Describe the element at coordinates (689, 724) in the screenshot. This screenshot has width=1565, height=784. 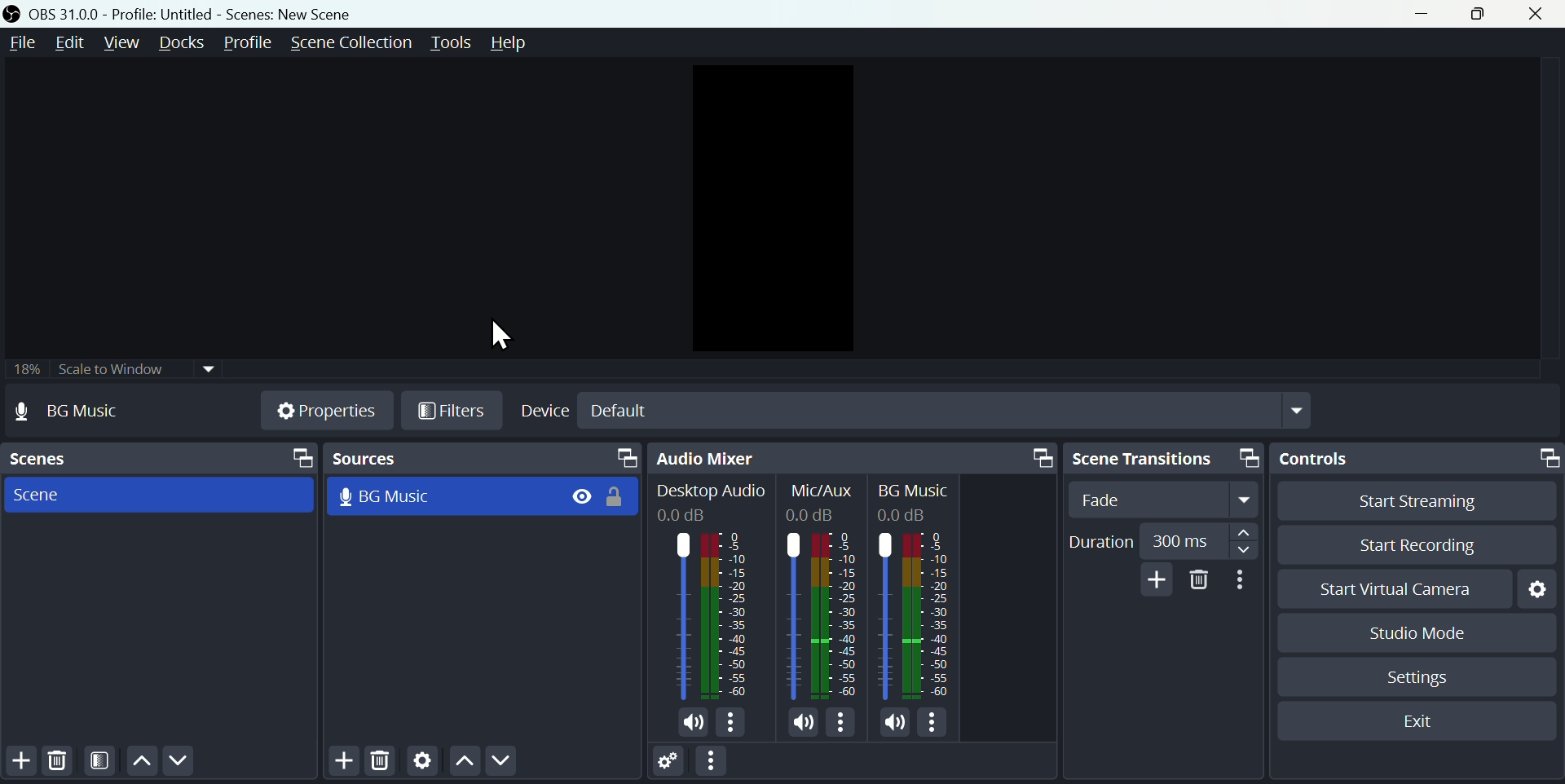
I see `Sound` at that location.